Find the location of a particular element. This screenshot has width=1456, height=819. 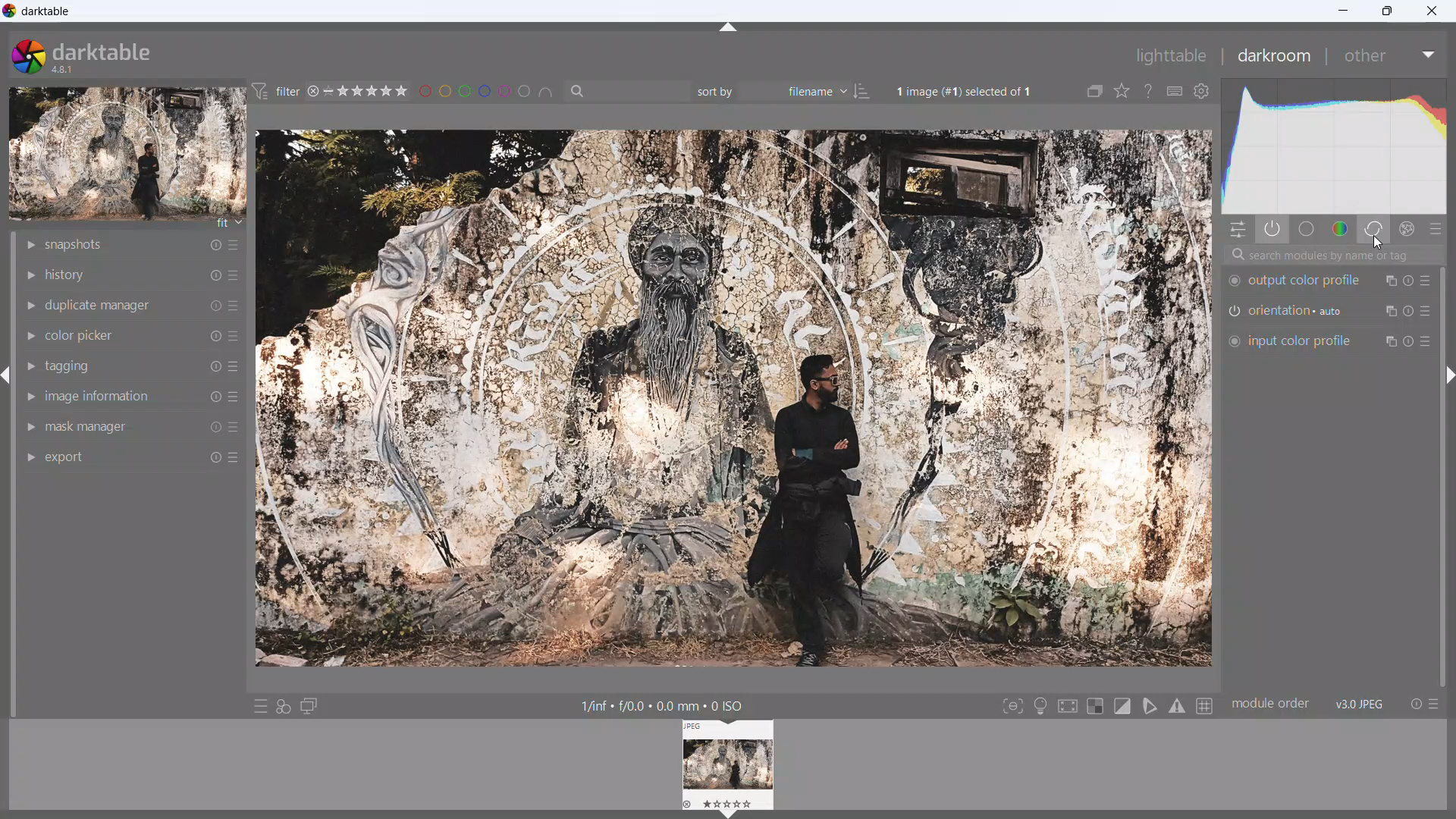

filter by text from images metadata is located at coordinates (626, 91).